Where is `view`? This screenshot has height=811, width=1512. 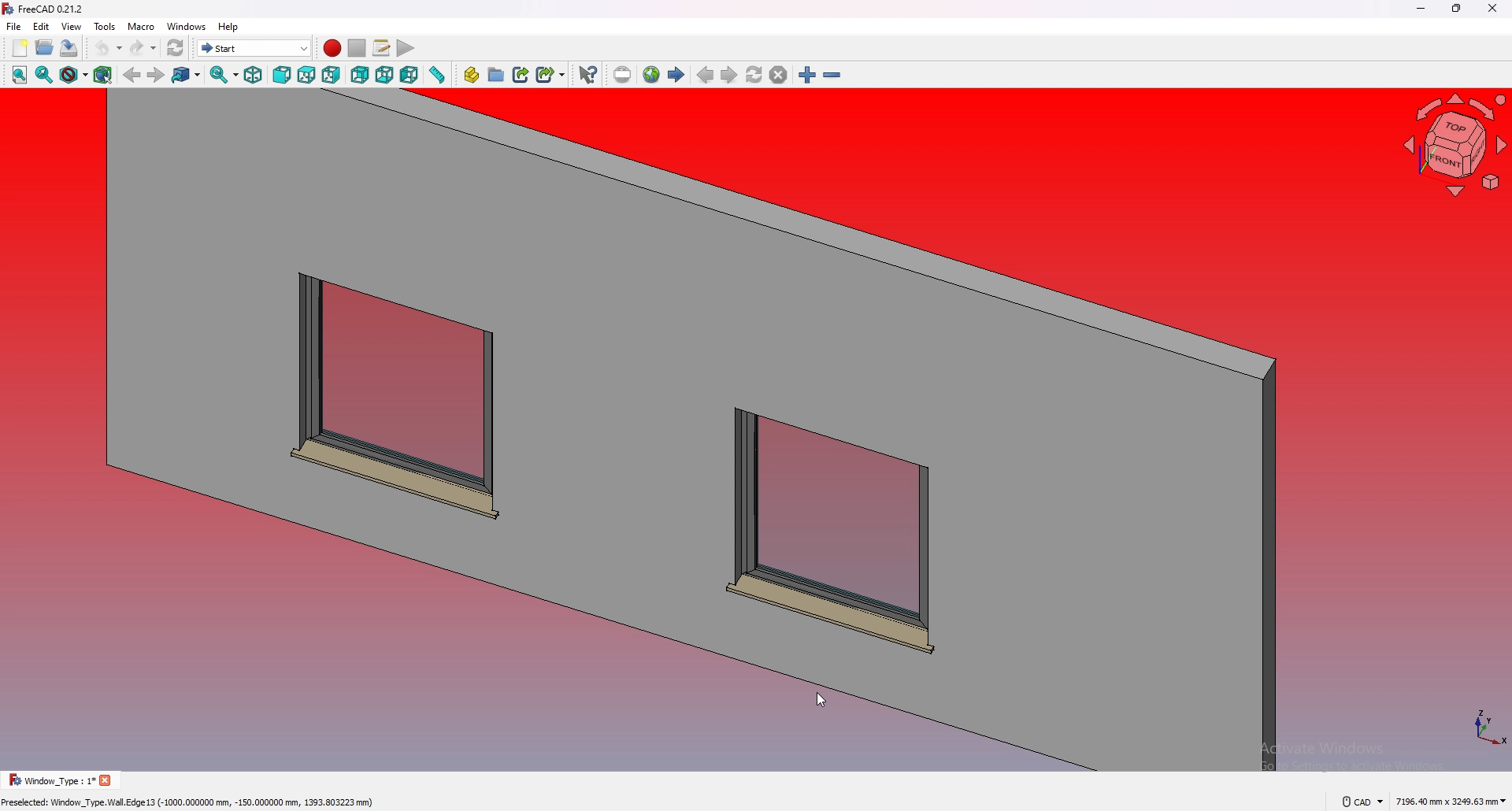 view is located at coordinates (1456, 148).